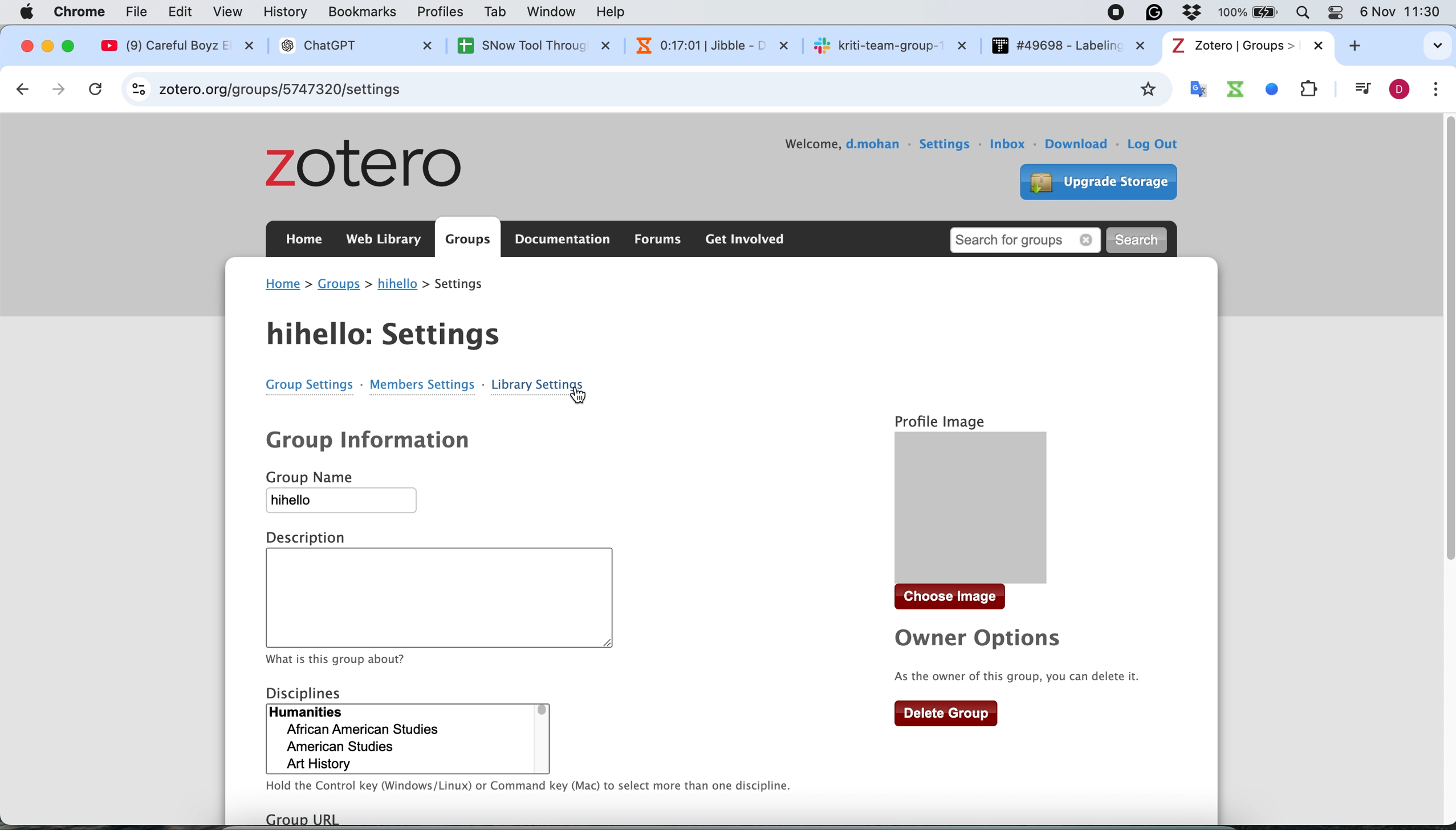  Describe the element at coordinates (340, 285) in the screenshot. I see `groups` at that location.